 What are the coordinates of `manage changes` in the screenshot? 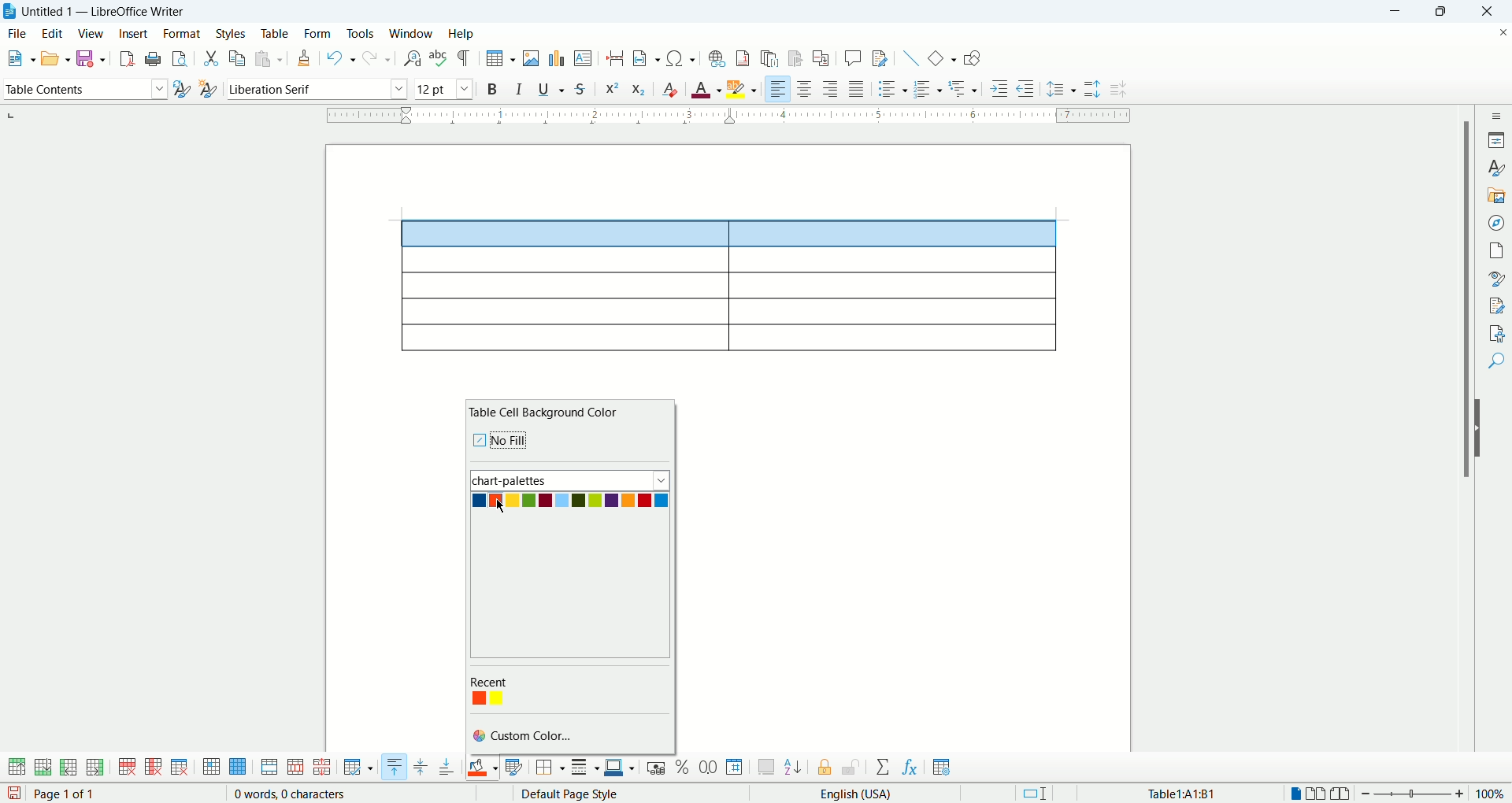 It's located at (1496, 304).